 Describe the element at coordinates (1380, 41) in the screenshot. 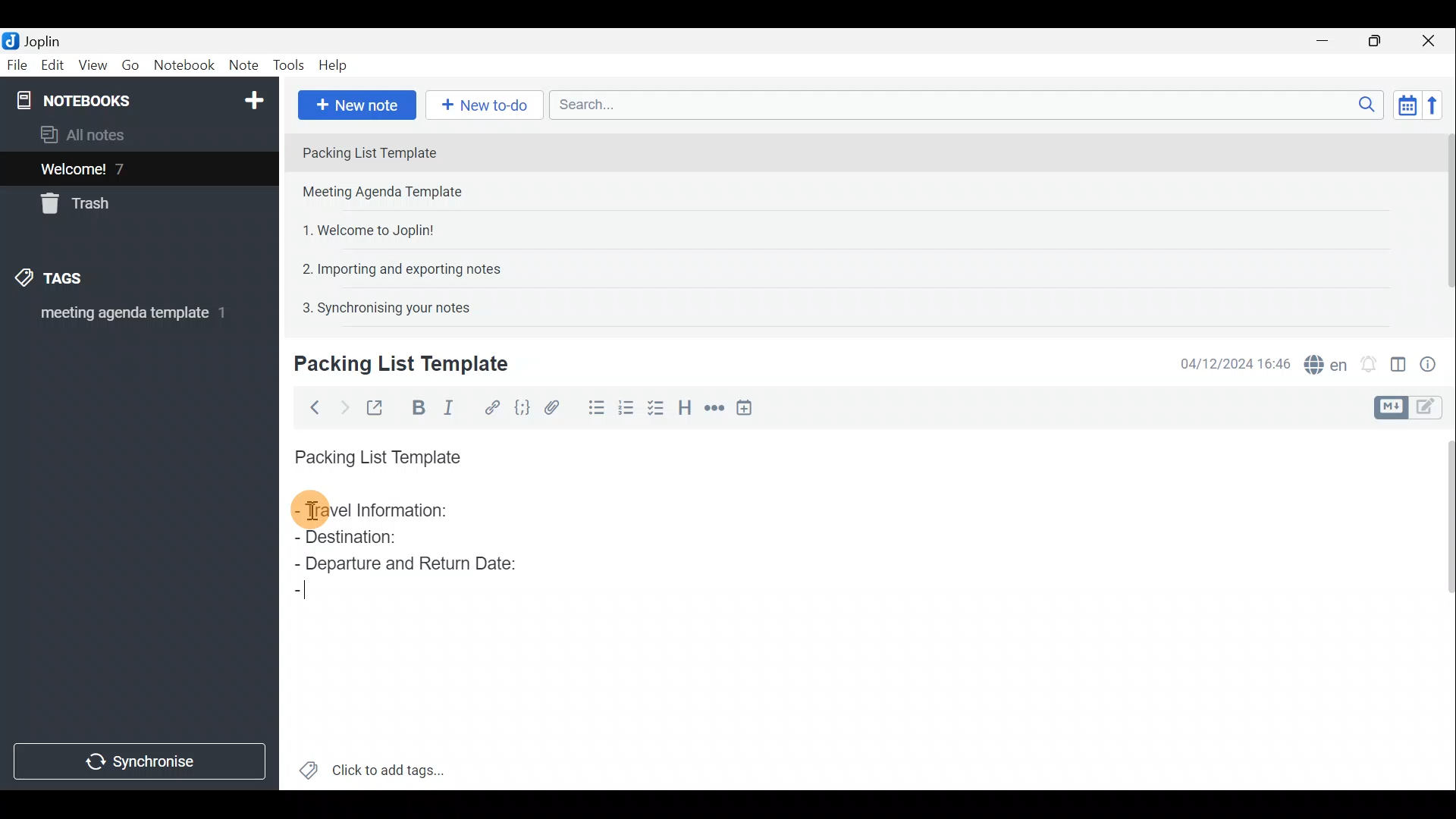

I see `Maximise` at that location.